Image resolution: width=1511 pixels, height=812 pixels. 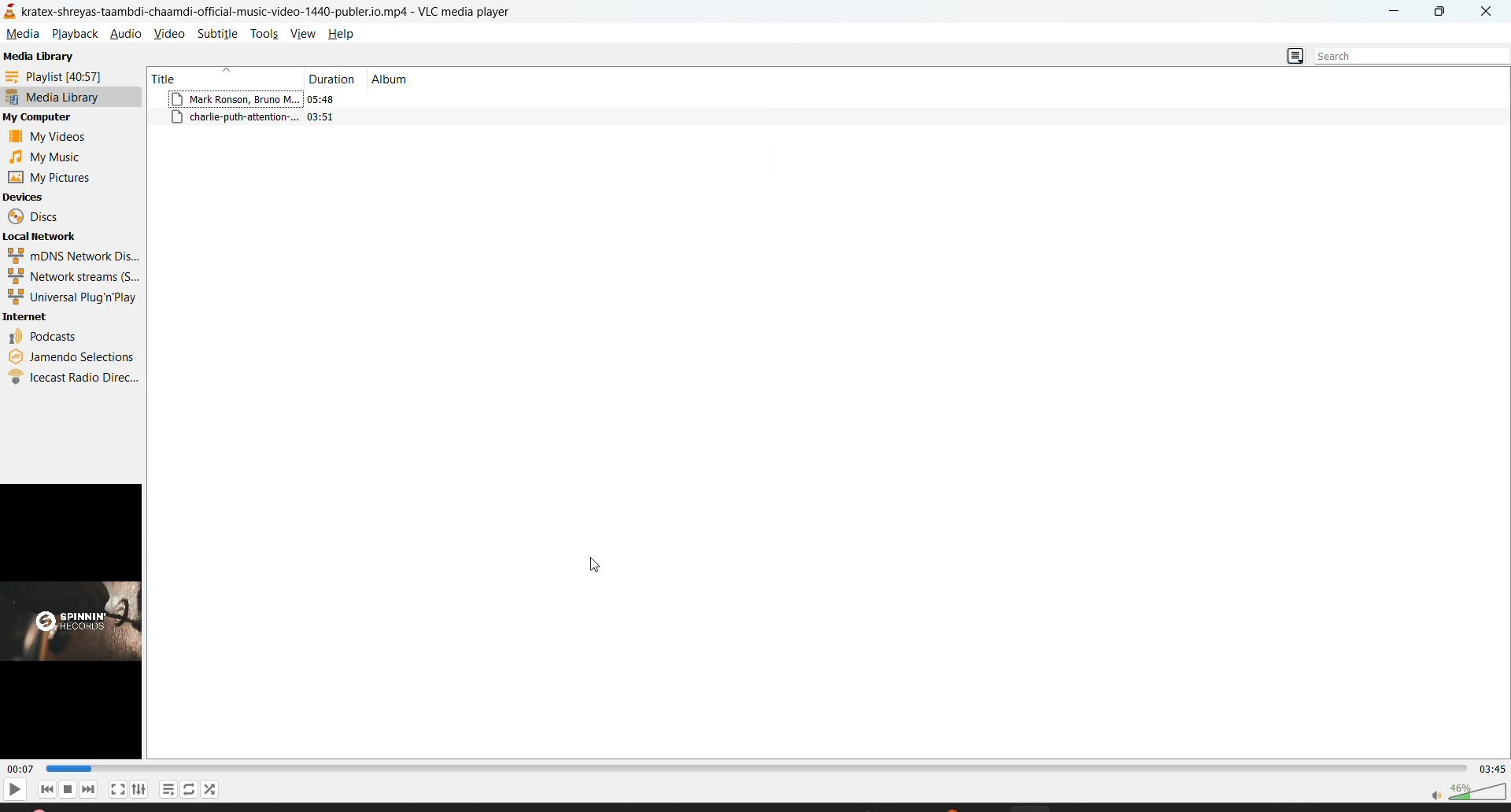 I want to click on track slider, so click(x=759, y=769).